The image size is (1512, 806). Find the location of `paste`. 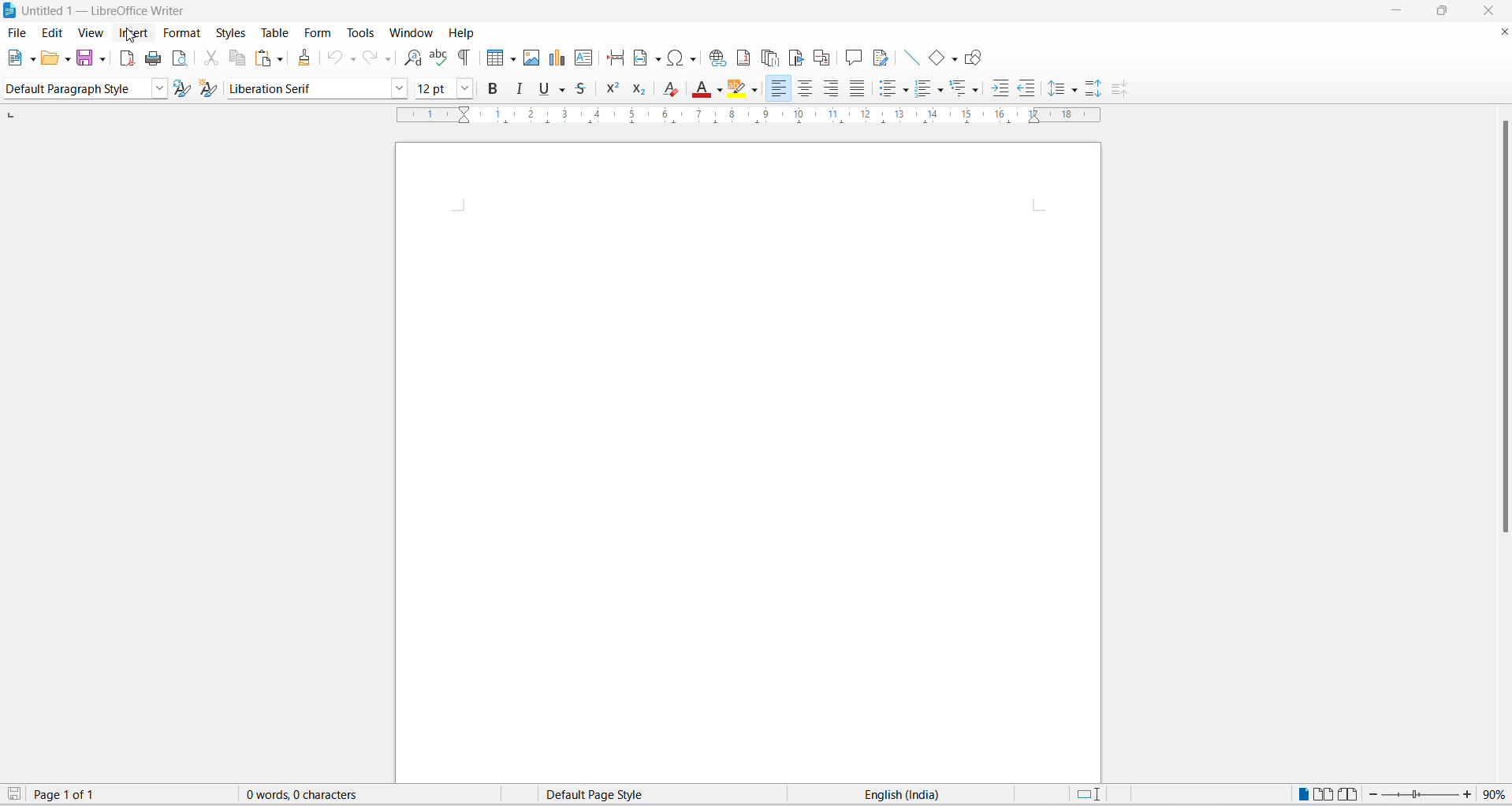

paste is located at coordinates (261, 59).